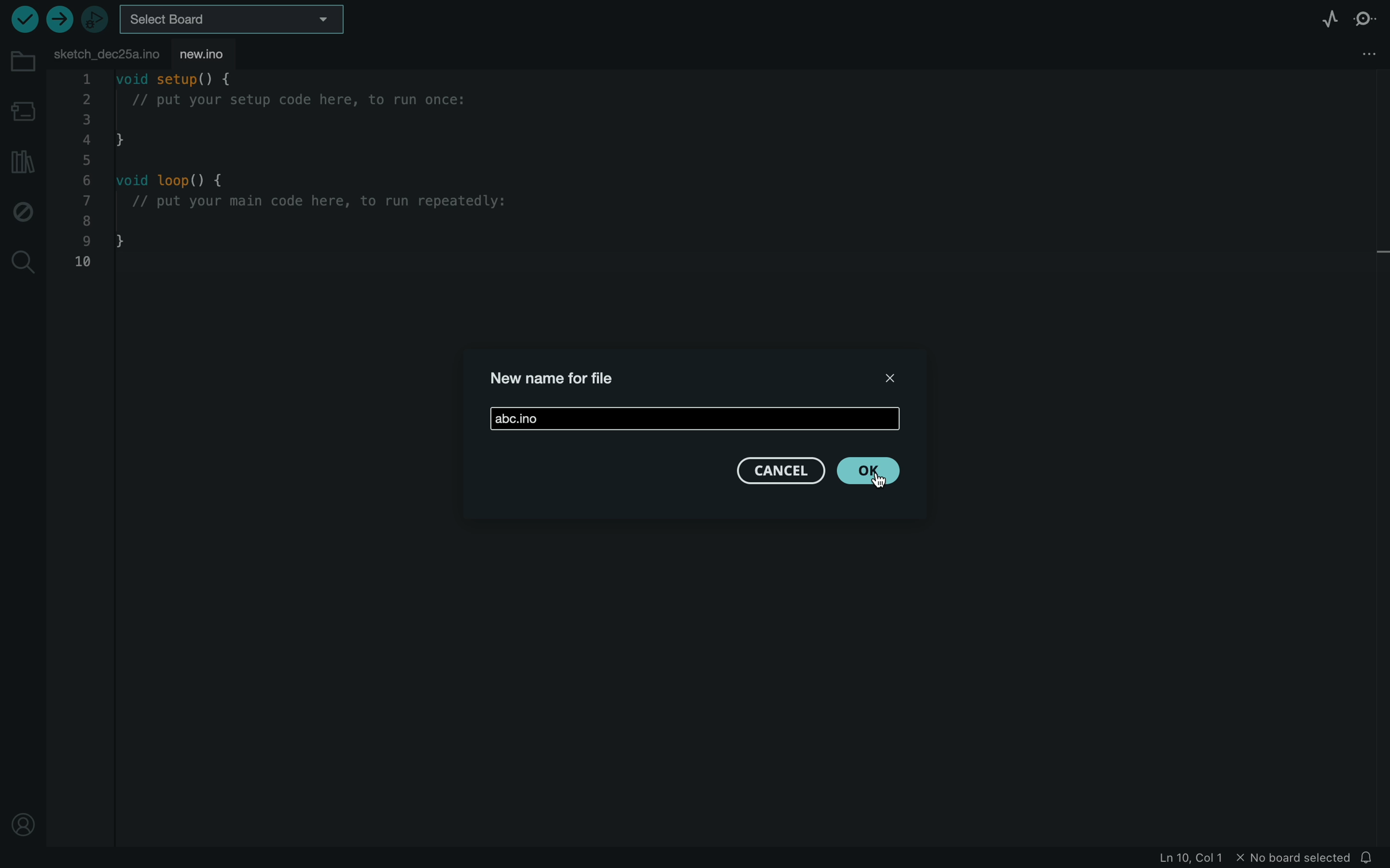 The image size is (1390, 868). What do you see at coordinates (20, 161) in the screenshot?
I see `library manager` at bounding box center [20, 161].